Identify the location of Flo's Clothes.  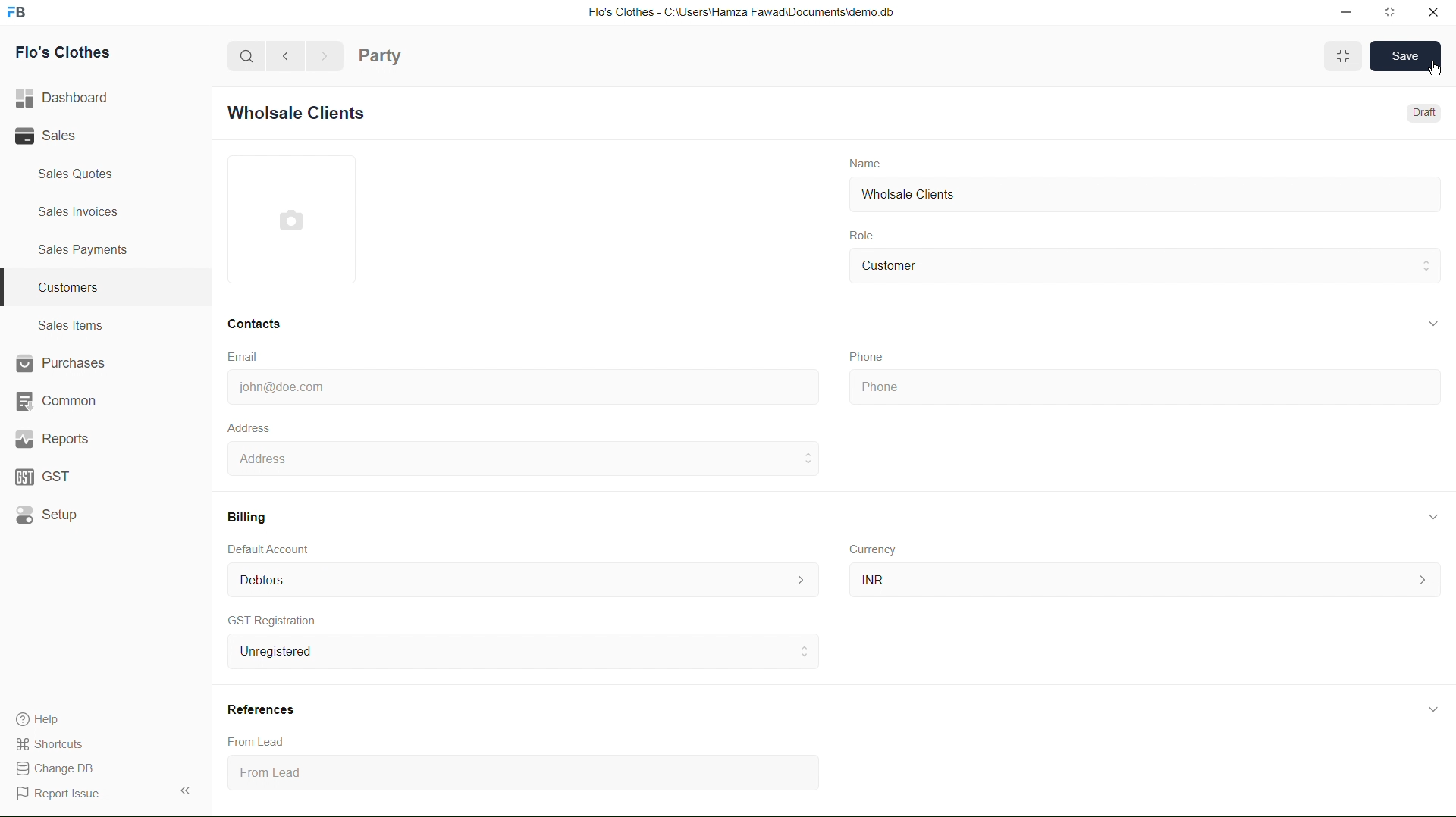
(59, 55).